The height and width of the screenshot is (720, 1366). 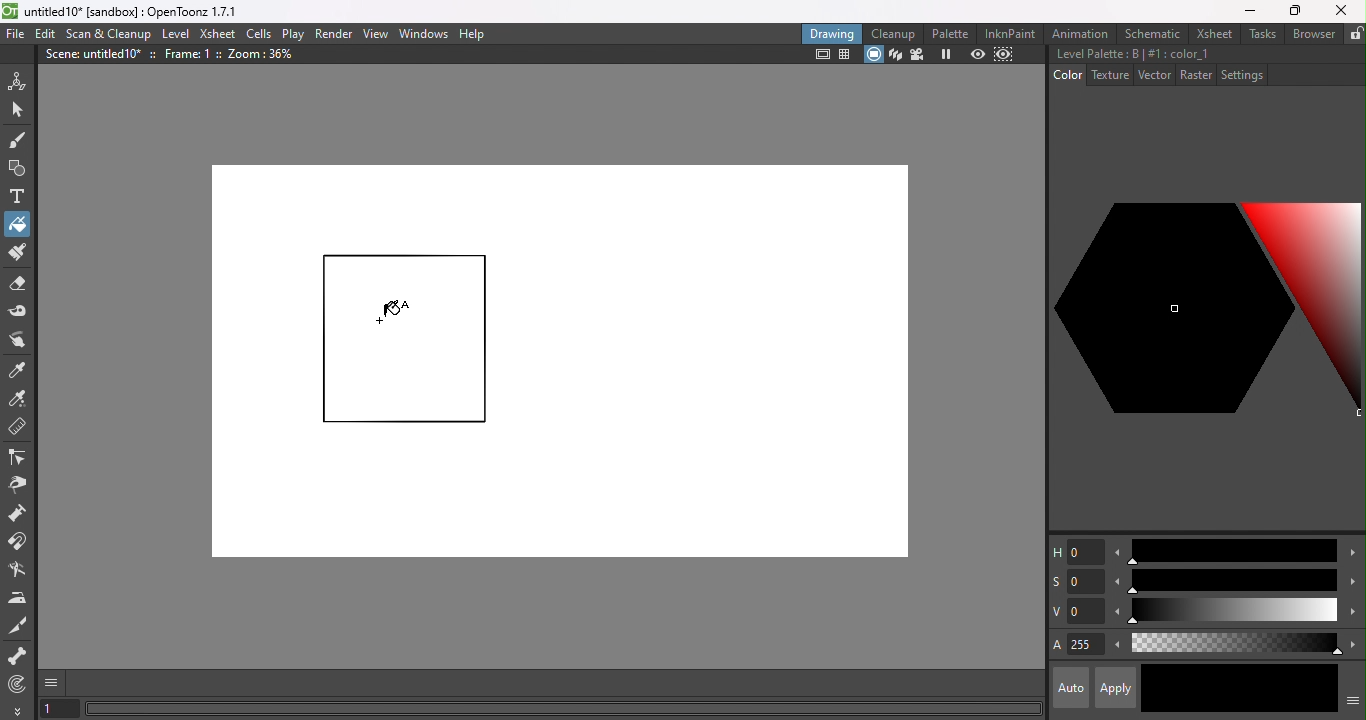 What do you see at coordinates (1076, 611) in the screenshot?
I see `V` at bounding box center [1076, 611].